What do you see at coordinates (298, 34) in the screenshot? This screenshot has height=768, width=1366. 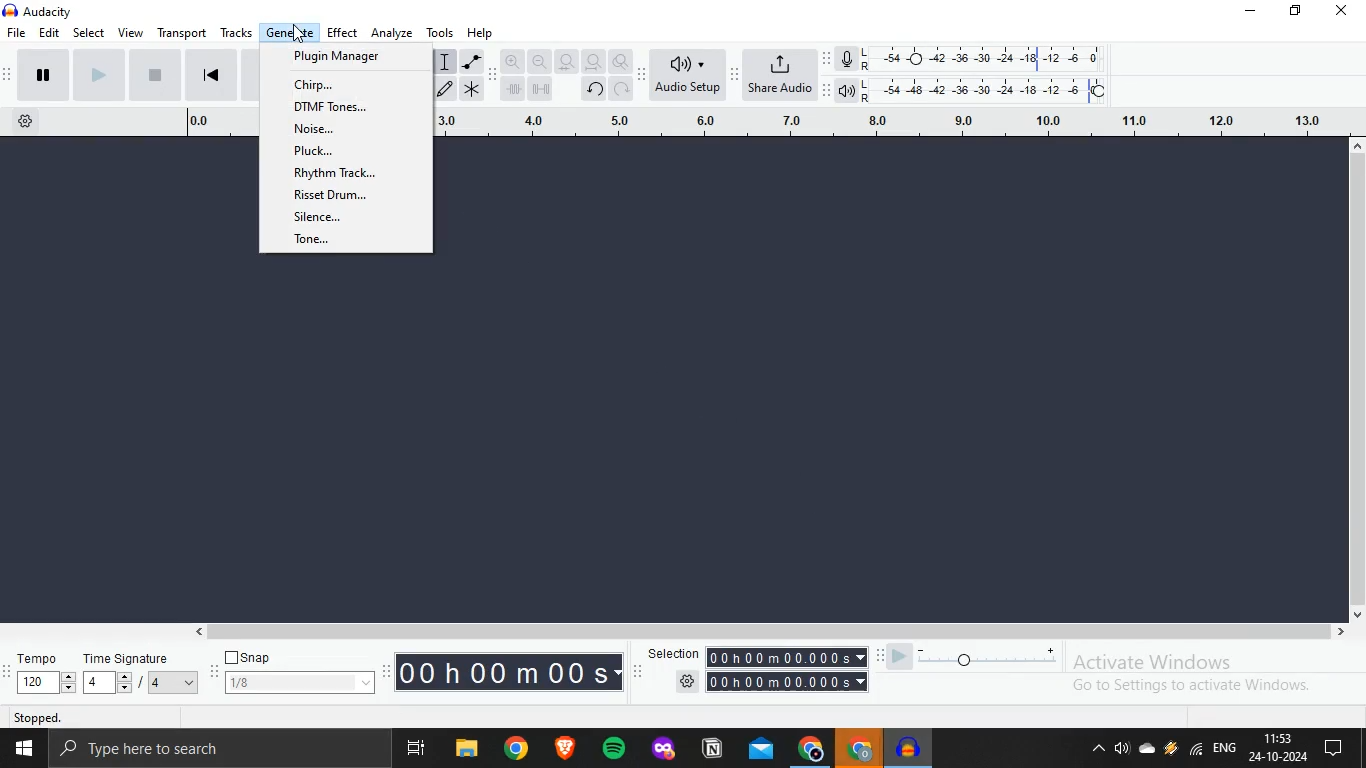 I see `Cursor` at bounding box center [298, 34].